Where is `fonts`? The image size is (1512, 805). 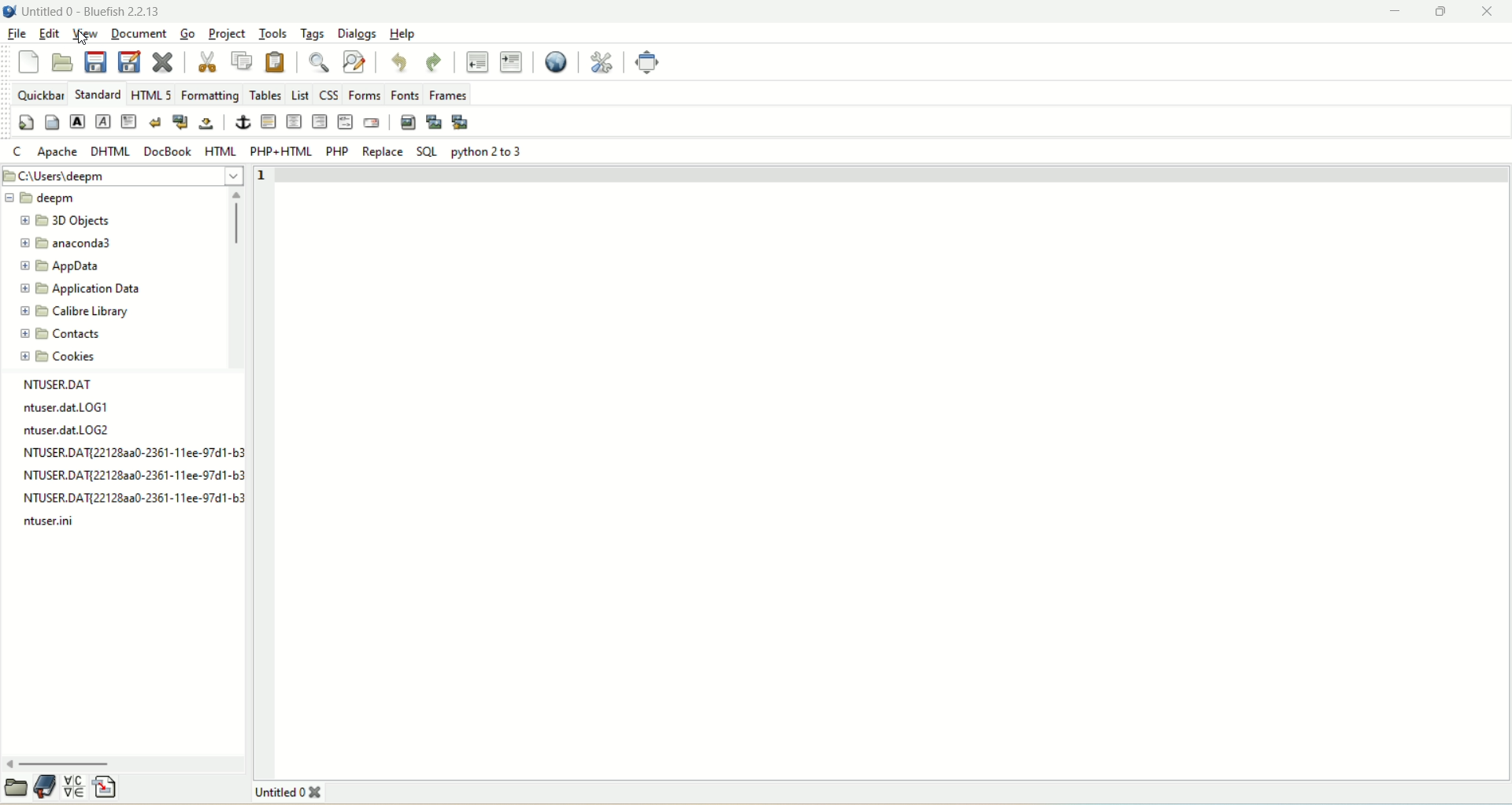
fonts is located at coordinates (408, 94).